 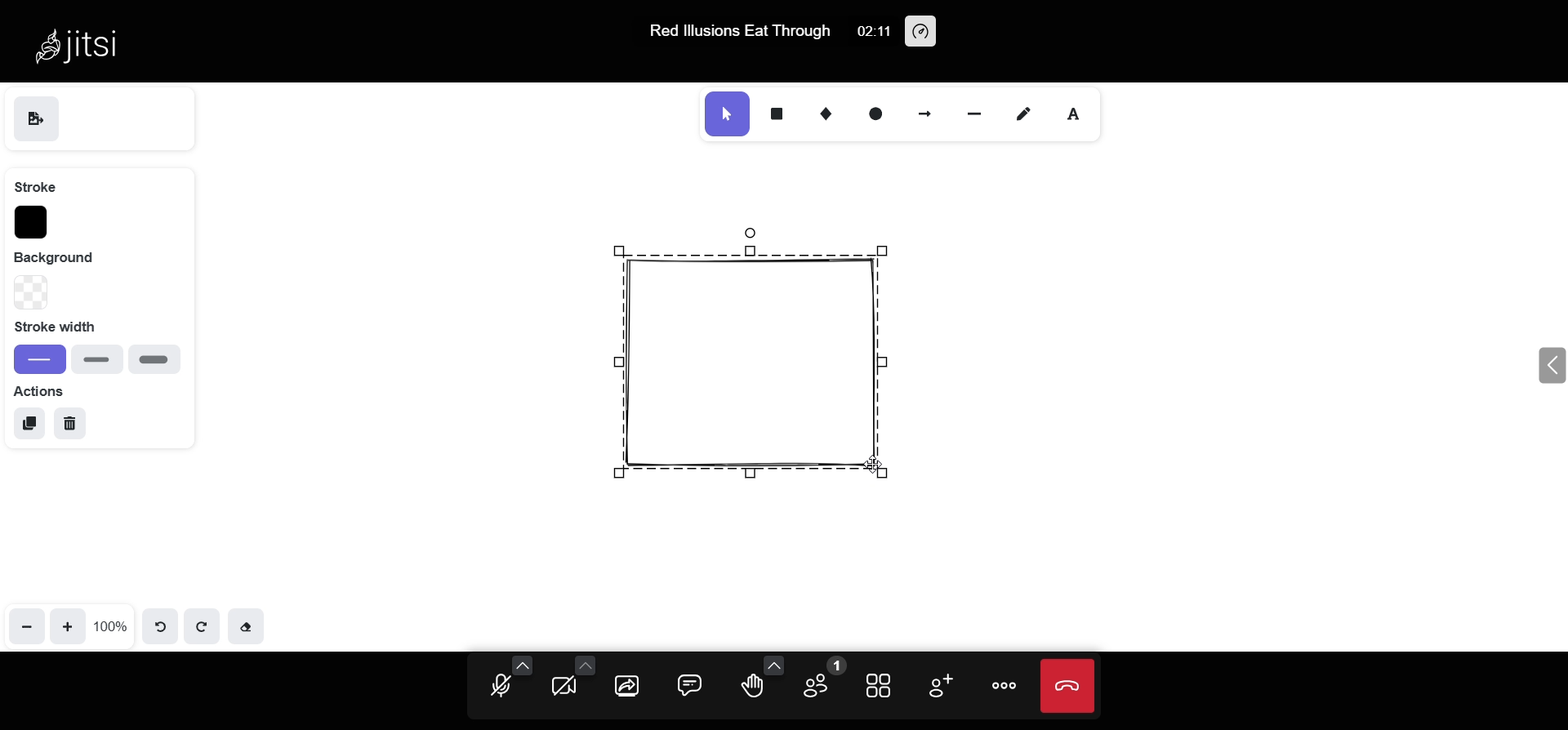 I want to click on performance setting, so click(x=922, y=31).